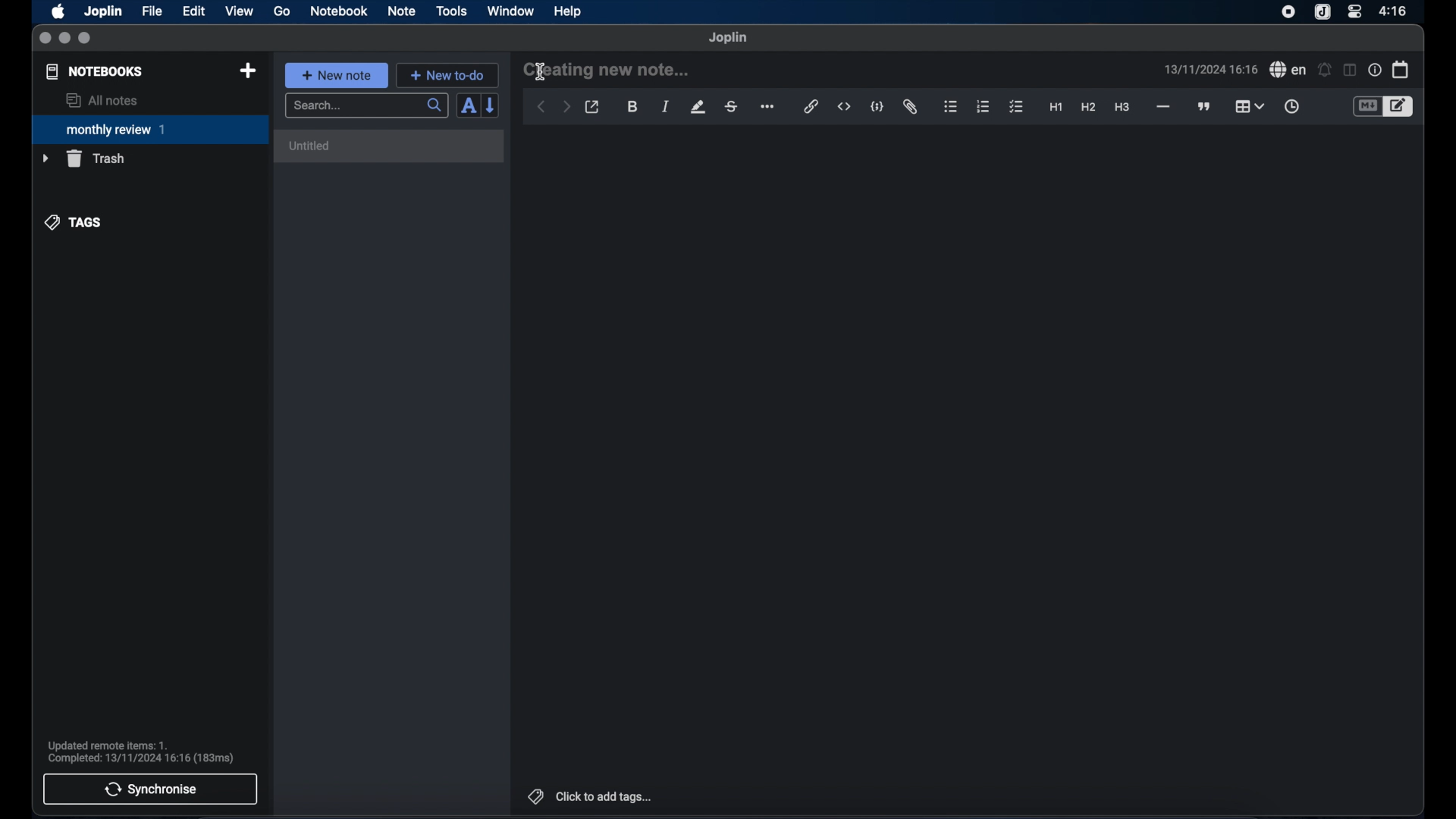 The width and height of the screenshot is (1456, 819). I want to click on set alarm, so click(1325, 71).